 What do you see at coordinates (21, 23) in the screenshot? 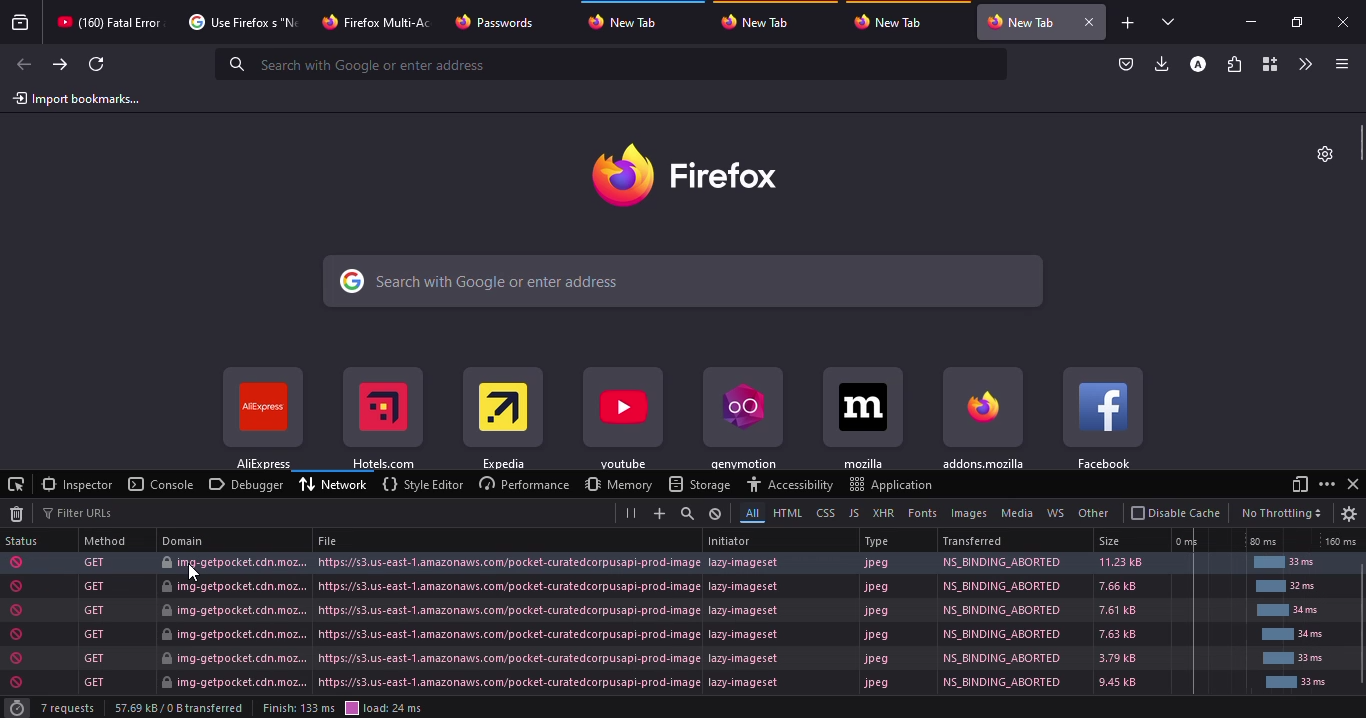
I see `view recent browsing history` at bounding box center [21, 23].